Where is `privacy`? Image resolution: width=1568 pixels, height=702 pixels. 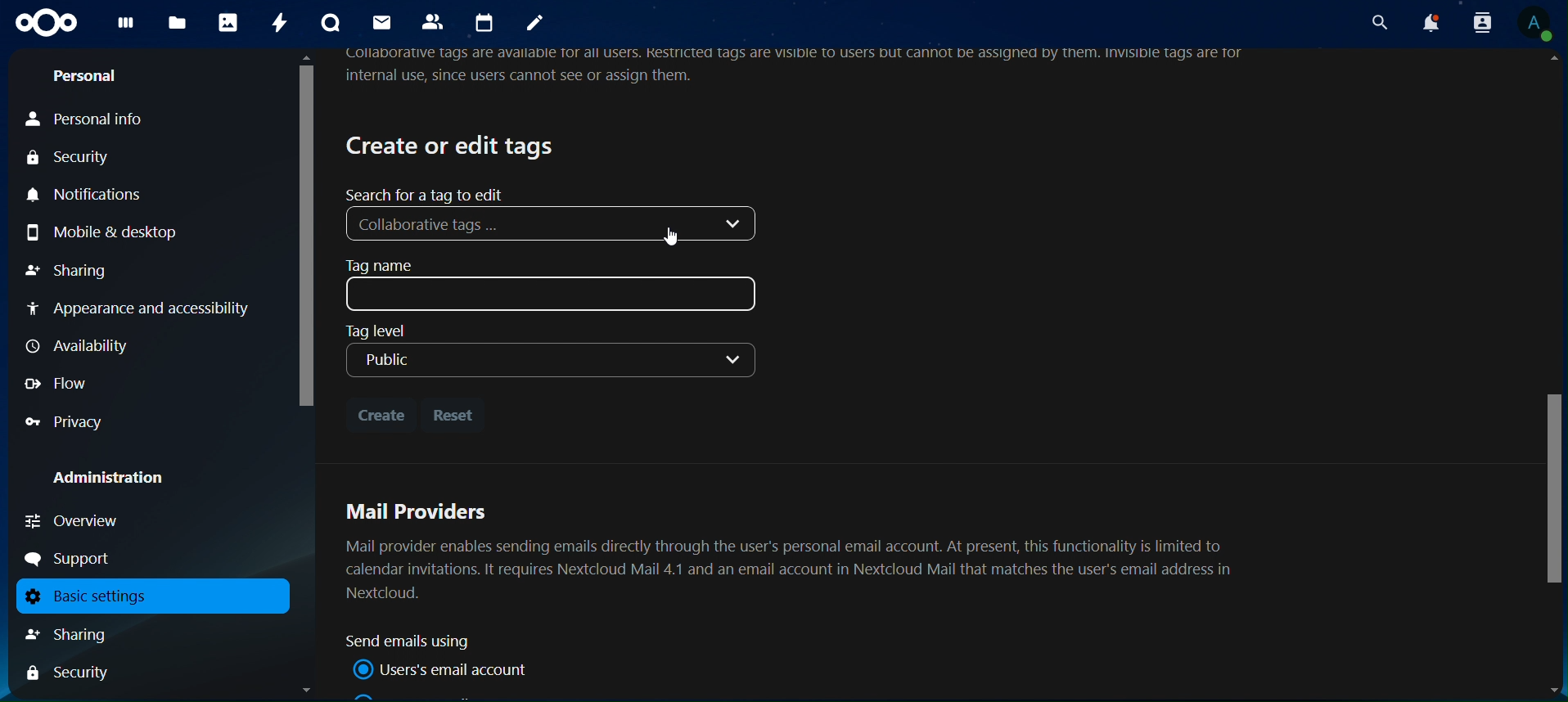
privacy is located at coordinates (65, 422).